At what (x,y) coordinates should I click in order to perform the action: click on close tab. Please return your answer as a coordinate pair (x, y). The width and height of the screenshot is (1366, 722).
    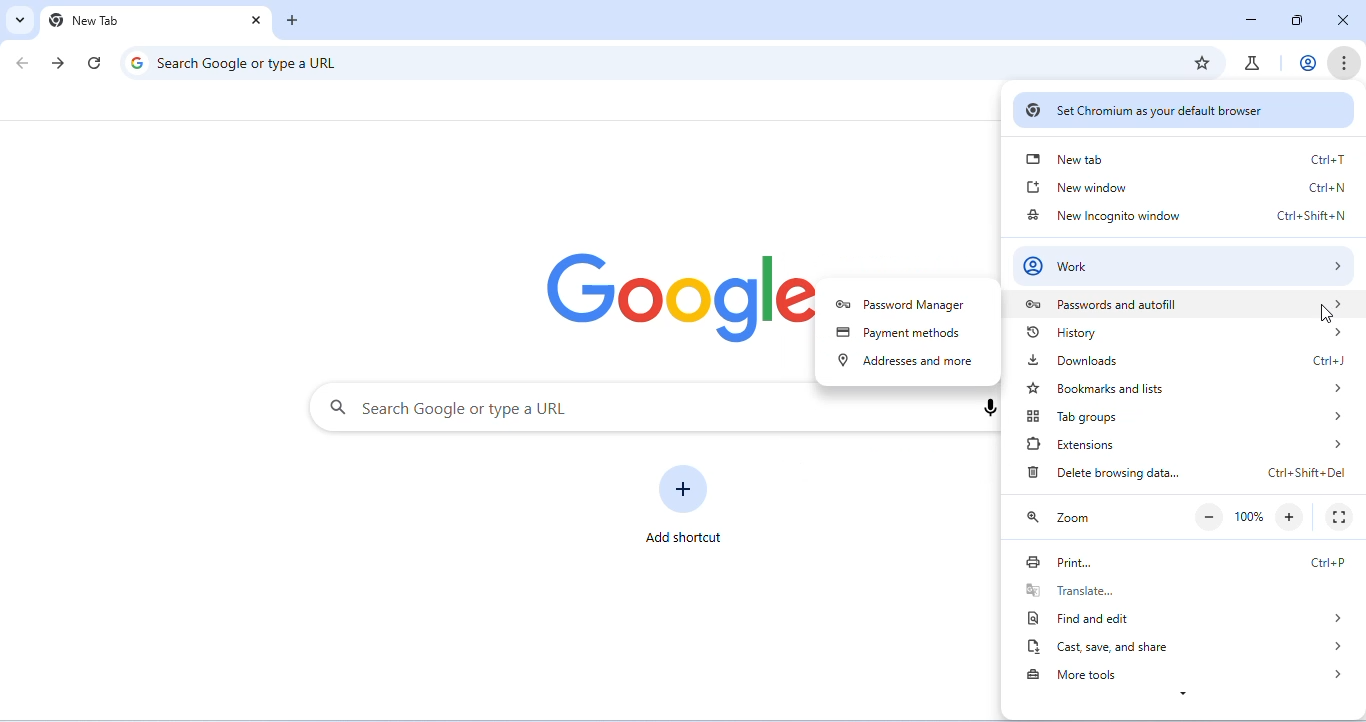
    Looking at the image, I should click on (254, 20).